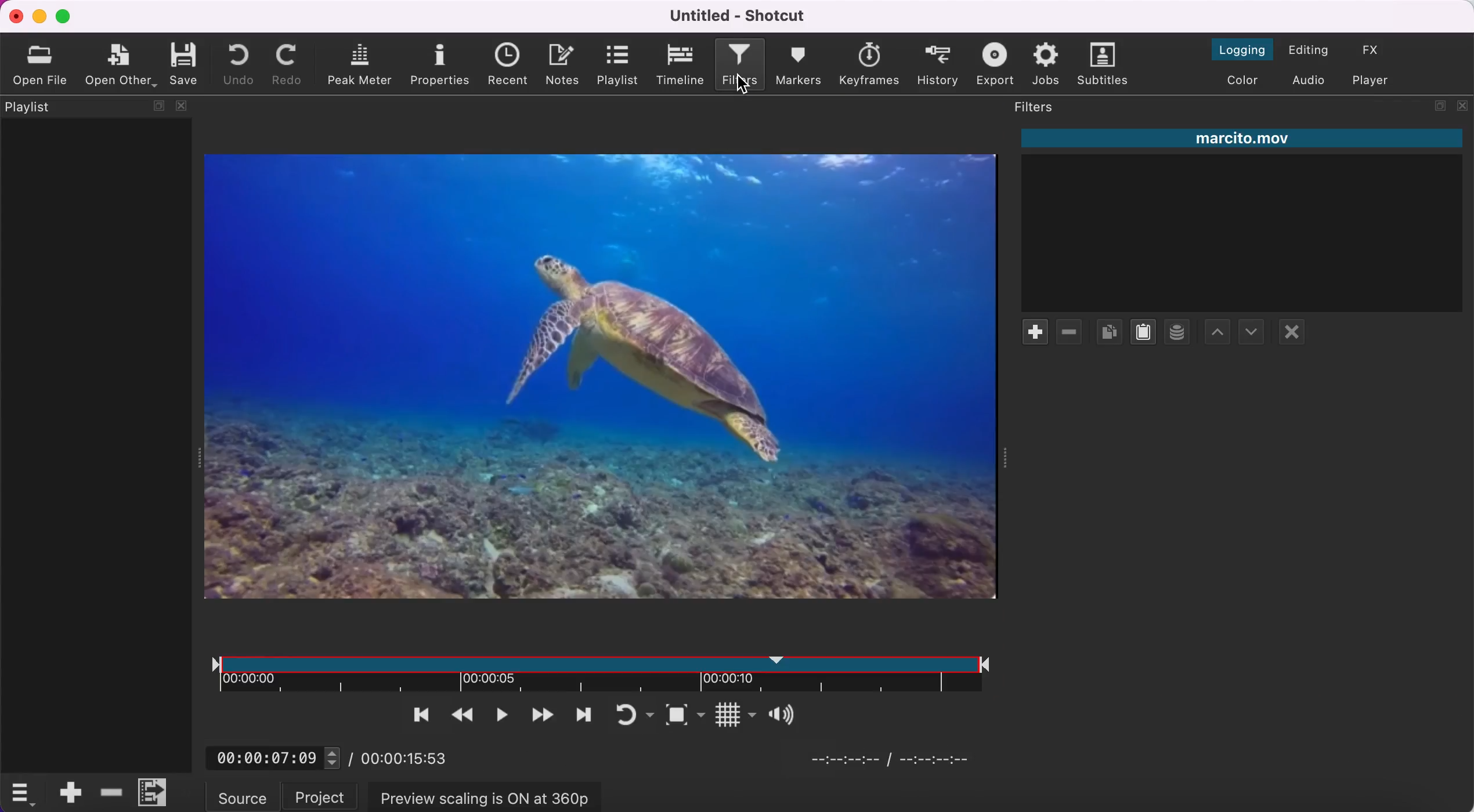 This screenshot has height=812, width=1474. What do you see at coordinates (273, 754) in the screenshot?
I see `00:00:07:09` at bounding box center [273, 754].